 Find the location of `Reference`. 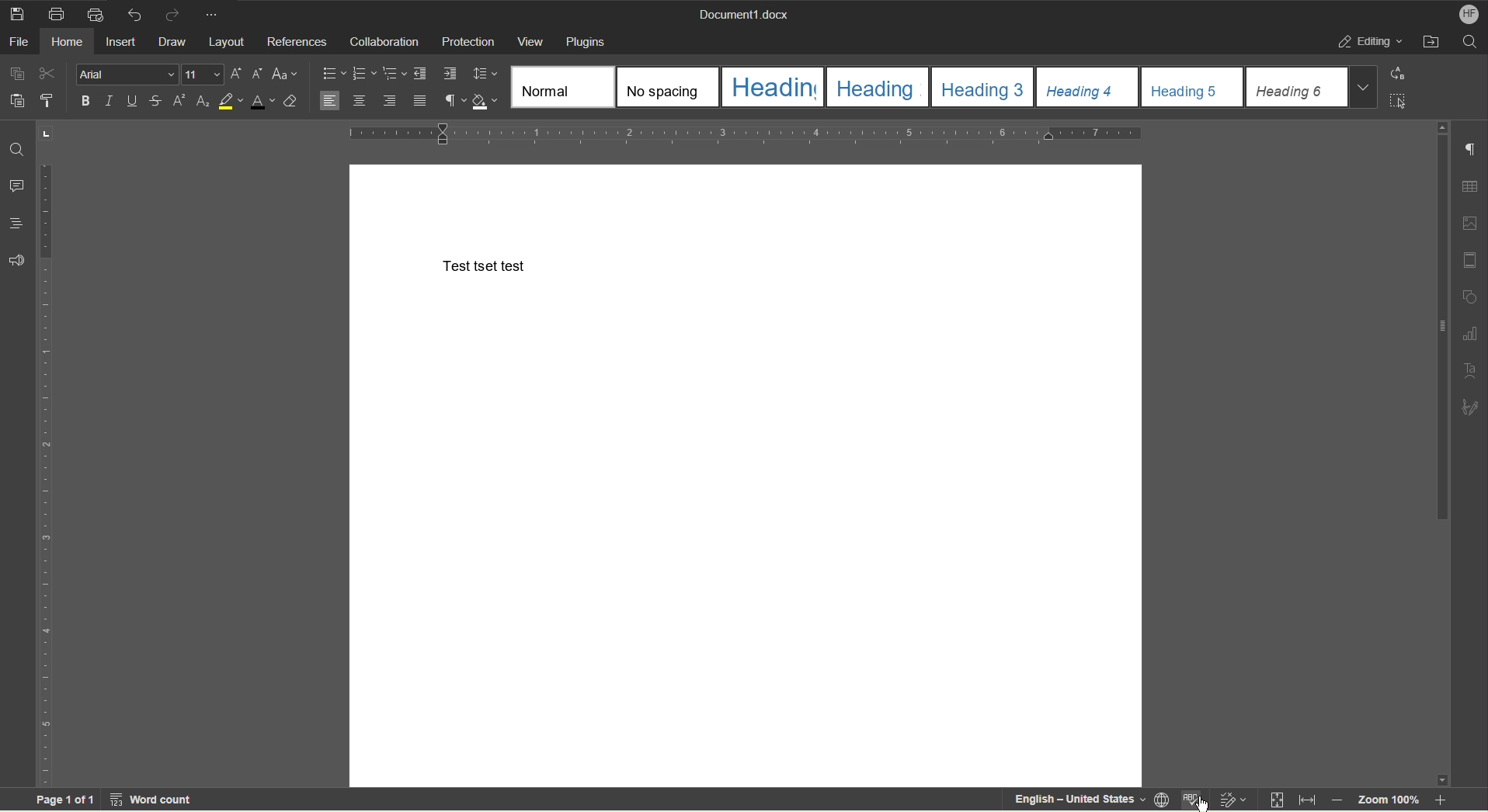

Reference is located at coordinates (297, 41).